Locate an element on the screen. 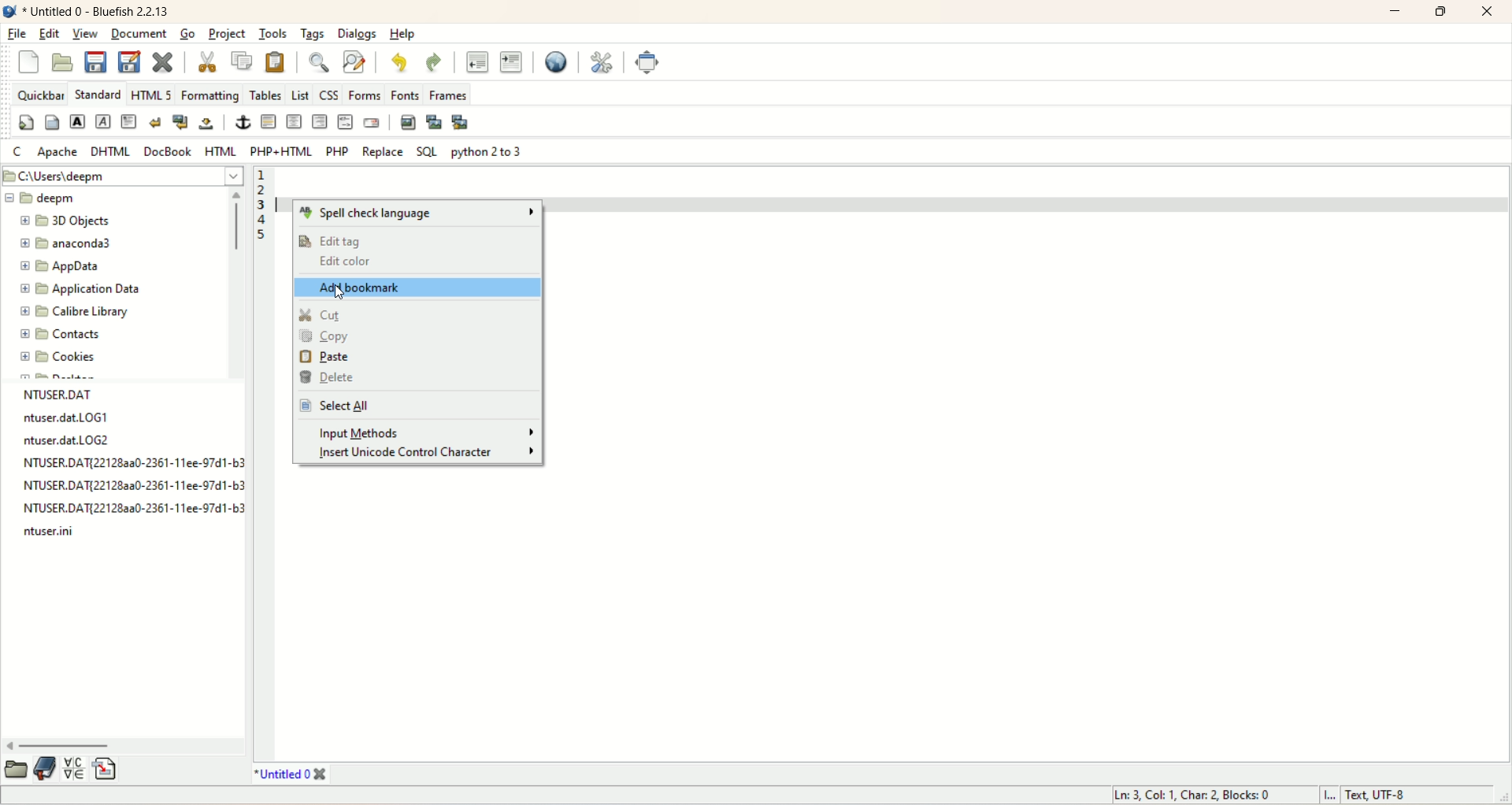  anchor/hyperlink is located at coordinates (243, 123).